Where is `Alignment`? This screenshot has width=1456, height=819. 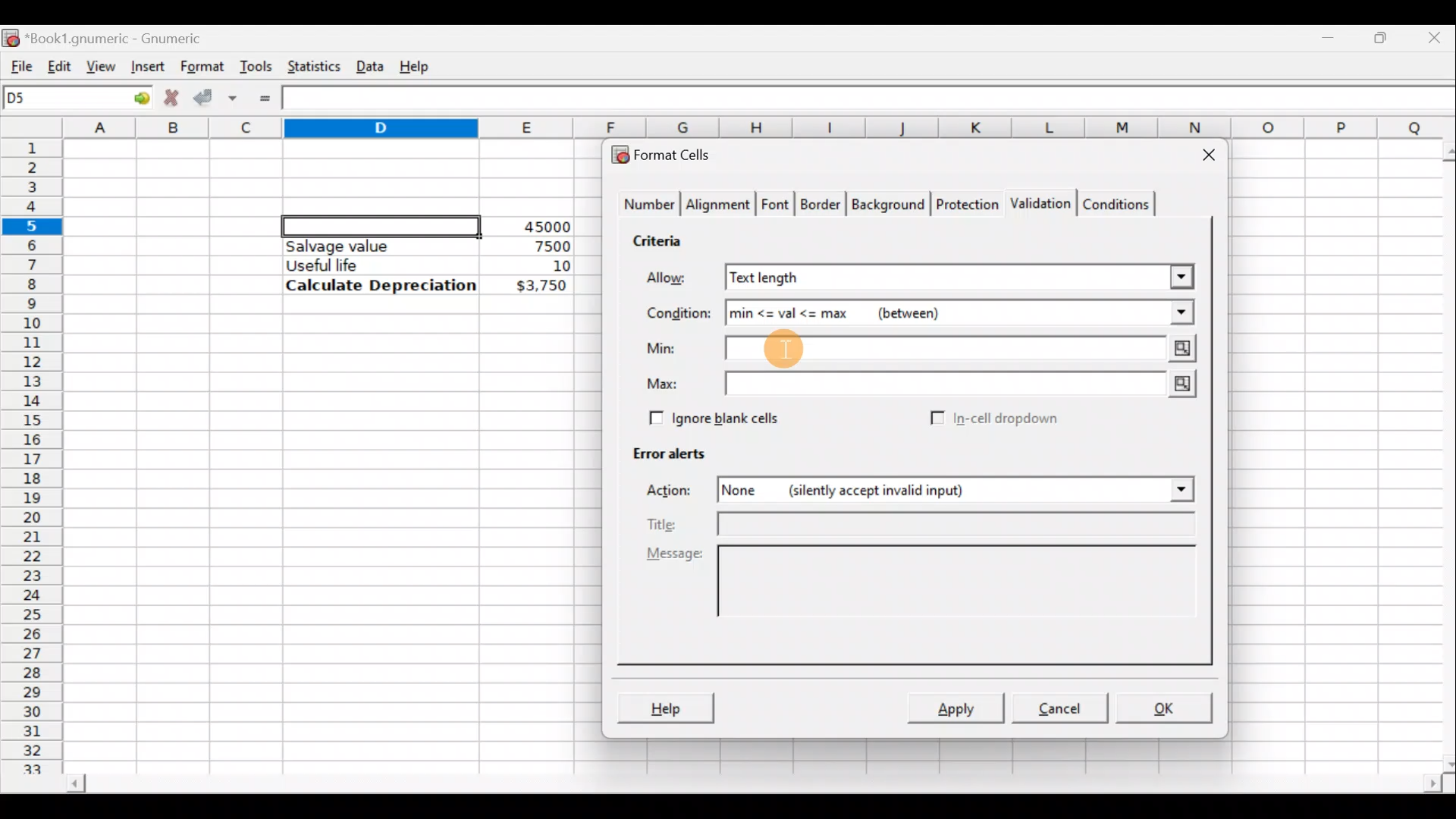 Alignment is located at coordinates (719, 206).